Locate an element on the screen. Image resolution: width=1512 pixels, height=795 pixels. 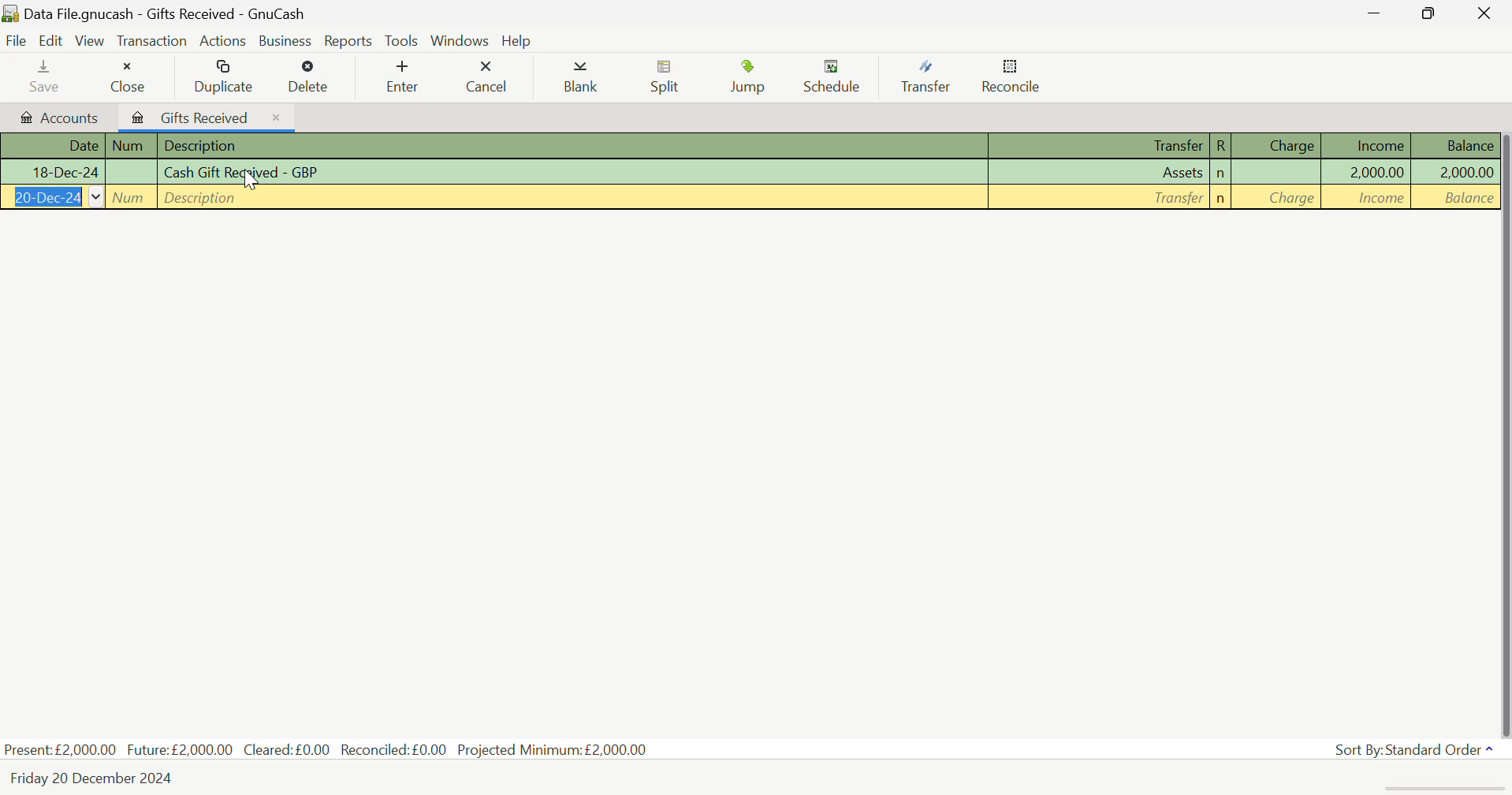
View is located at coordinates (91, 39).